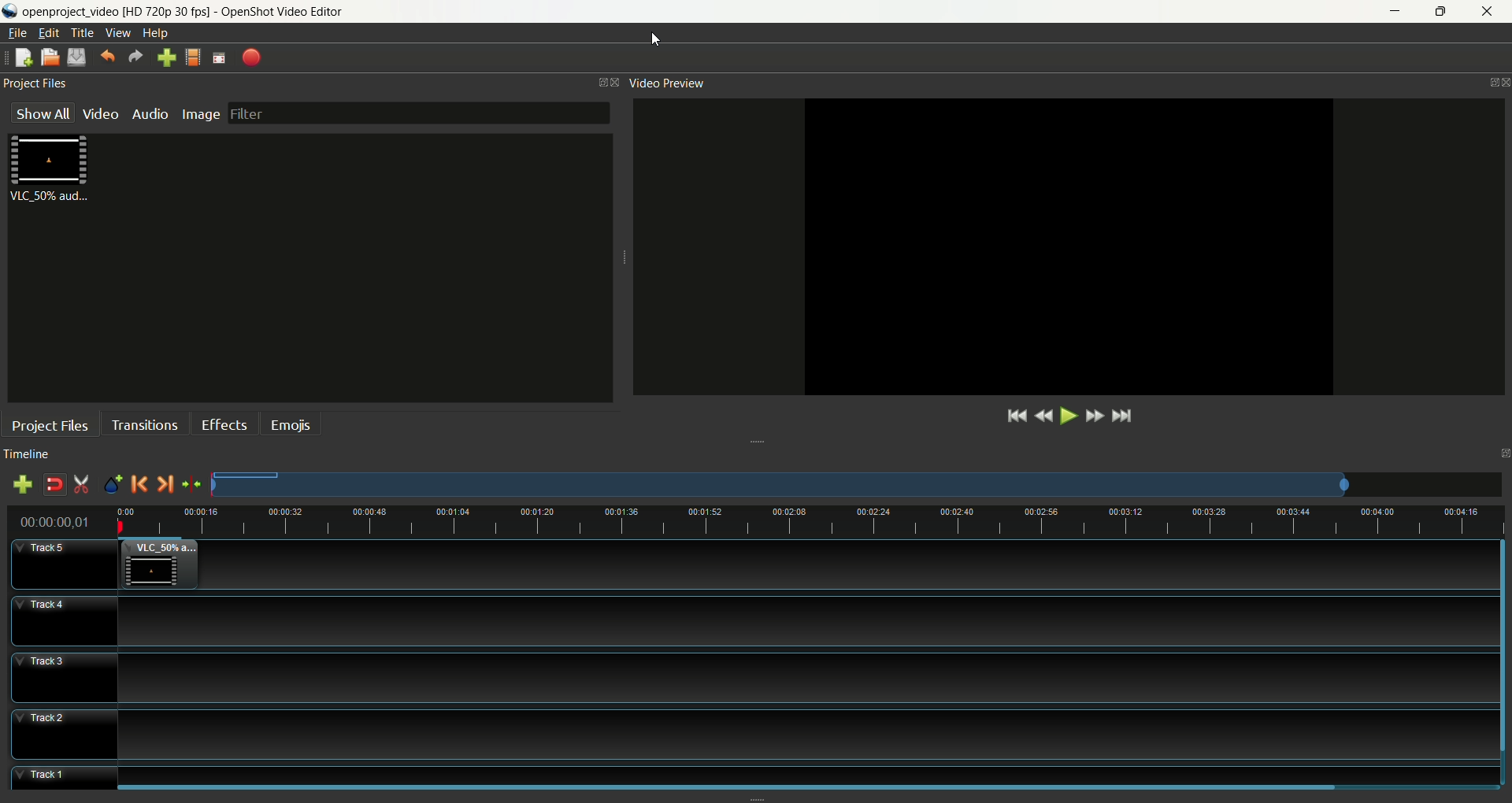 The image size is (1512, 803). Describe the element at coordinates (756, 439) in the screenshot. I see `options` at that location.